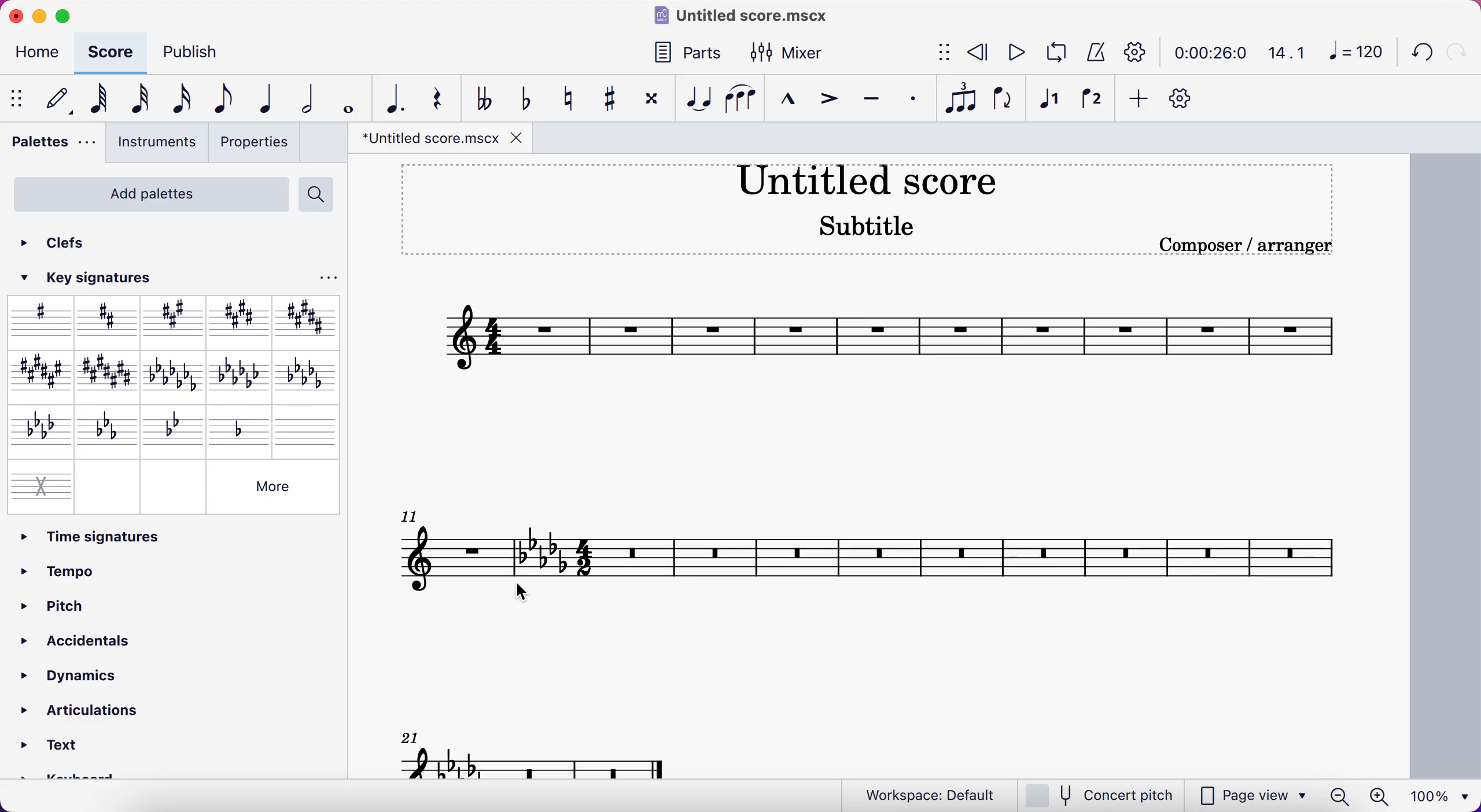 The width and height of the screenshot is (1481, 812). I want to click on 14.1, so click(1287, 50).